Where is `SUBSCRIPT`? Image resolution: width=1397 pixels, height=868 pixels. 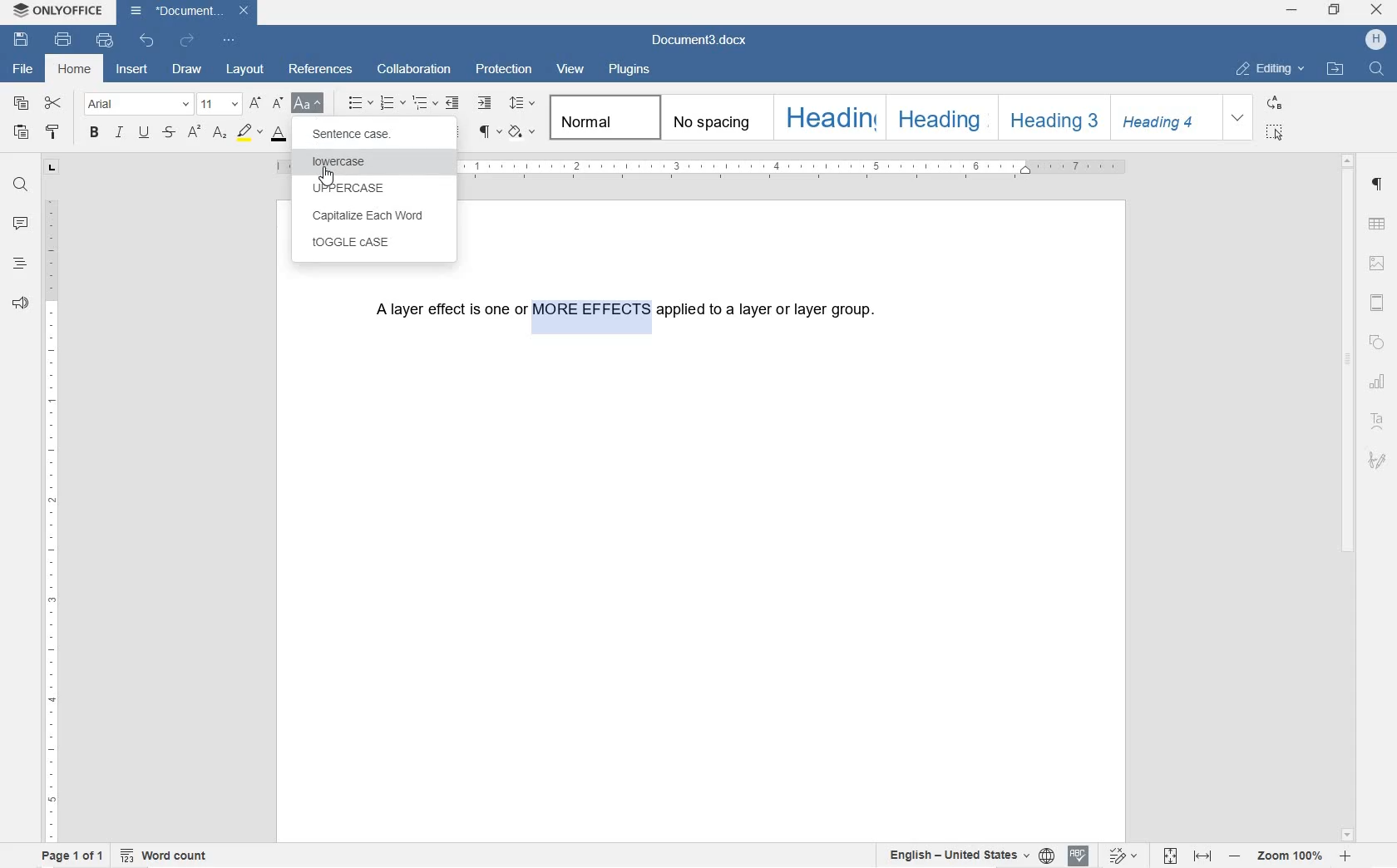
SUBSCRIPT is located at coordinates (220, 133).